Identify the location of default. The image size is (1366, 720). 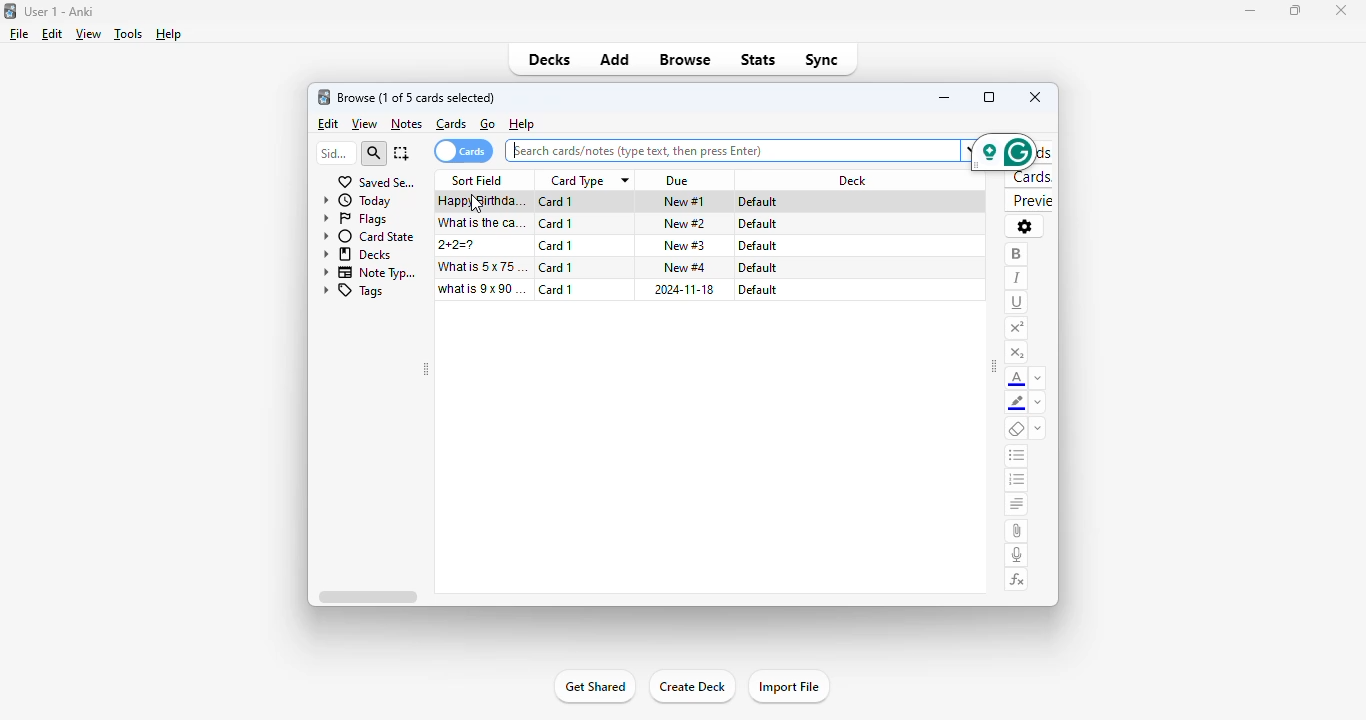
(760, 202).